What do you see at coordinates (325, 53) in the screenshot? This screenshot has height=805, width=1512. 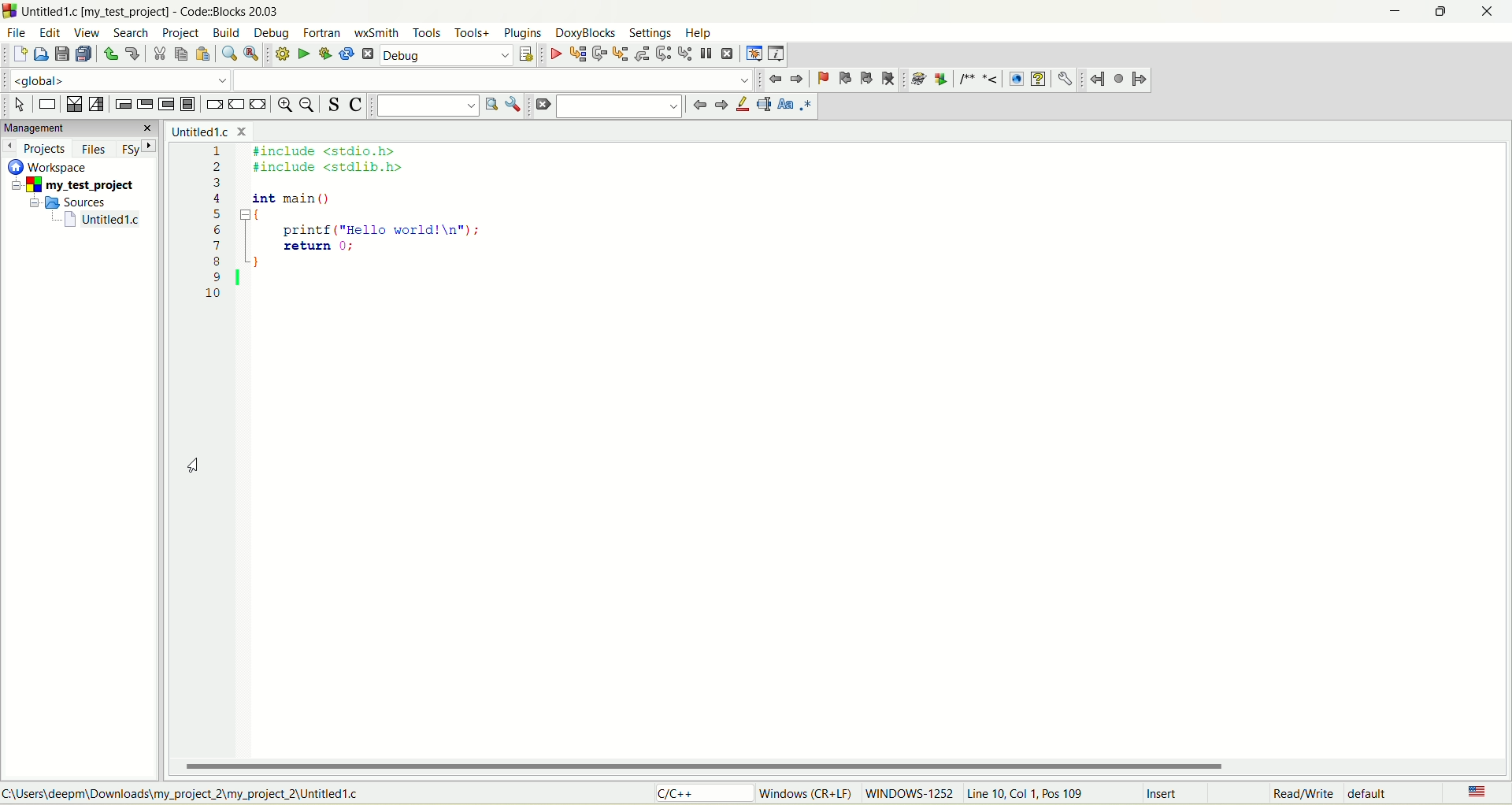 I see `build and run` at bounding box center [325, 53].